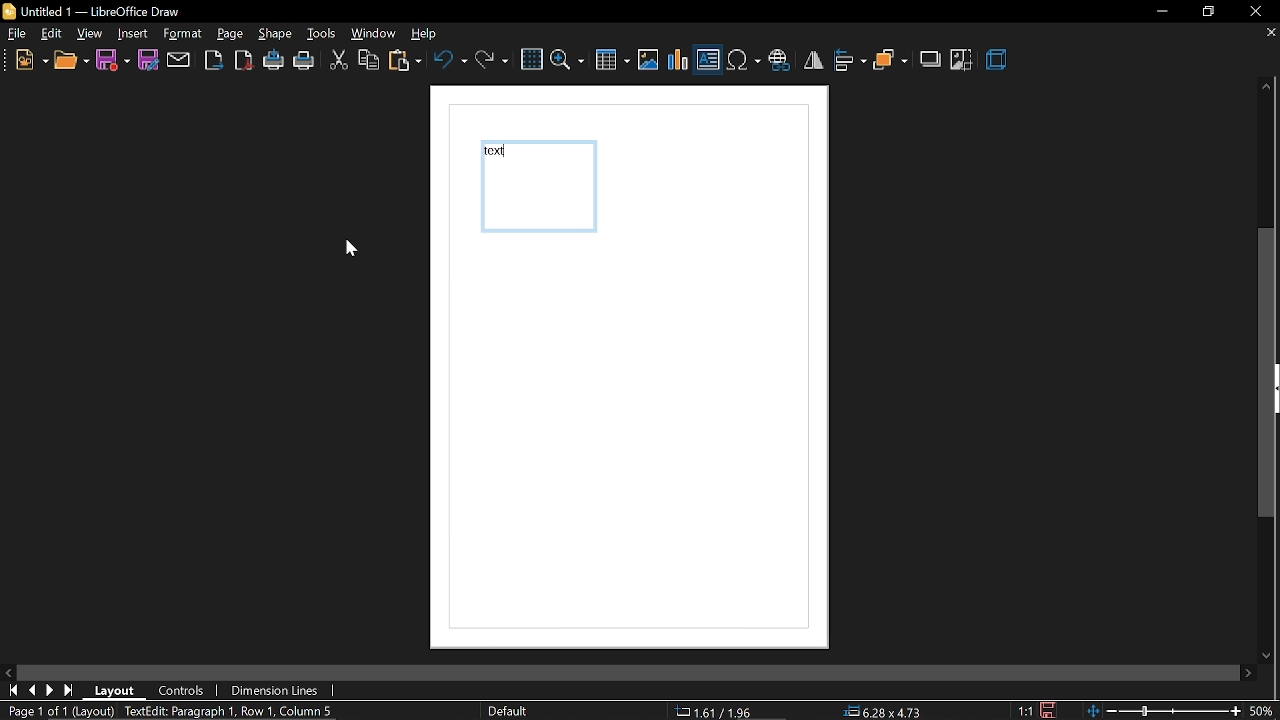 This screenshot has width=1280, height=720. Describe the element at coordinates (891, 62) in the screenshot. I see `arrange` at that location.